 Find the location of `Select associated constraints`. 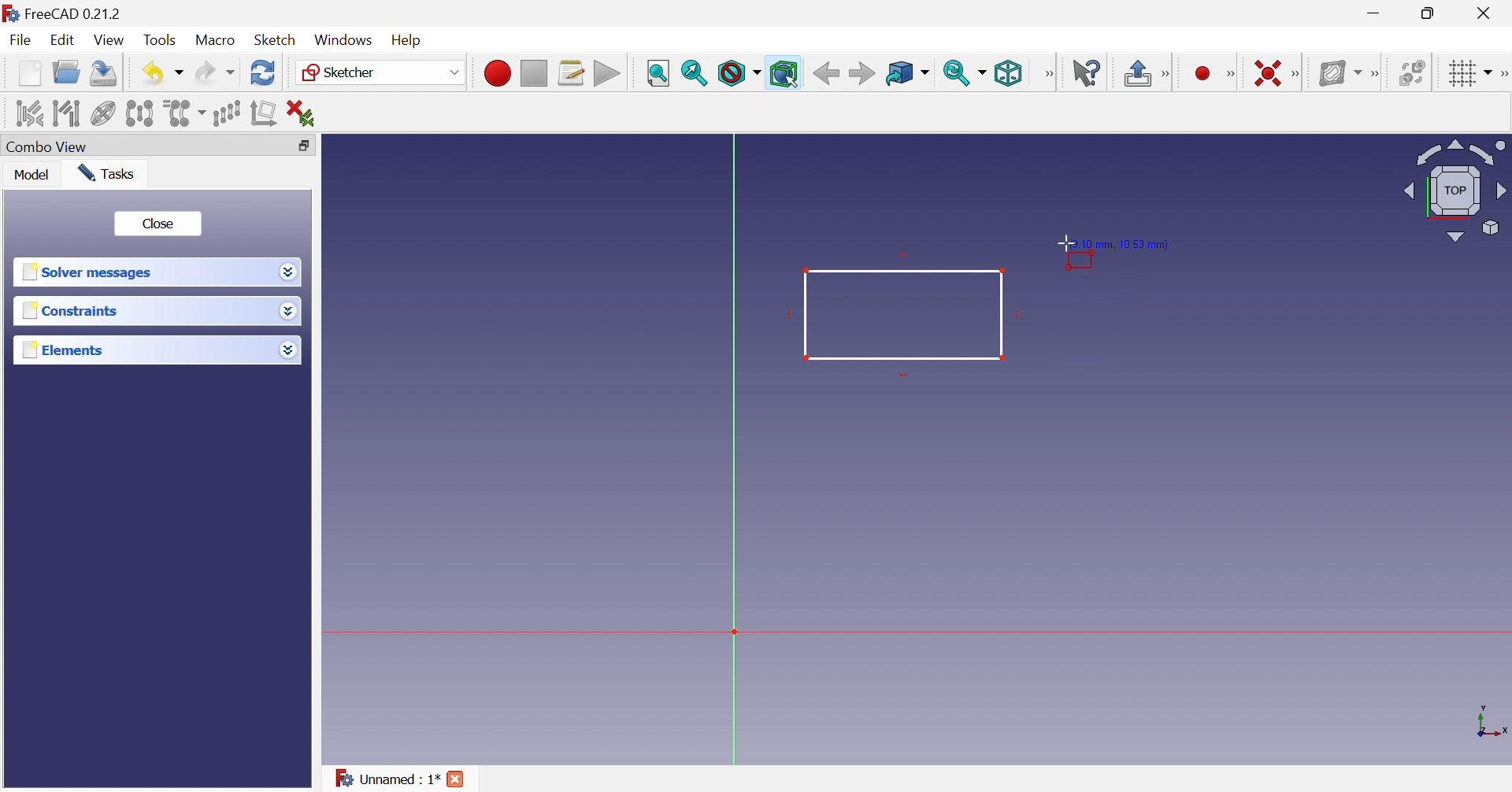

Select associated constraints is located at coordinates (30, 113).